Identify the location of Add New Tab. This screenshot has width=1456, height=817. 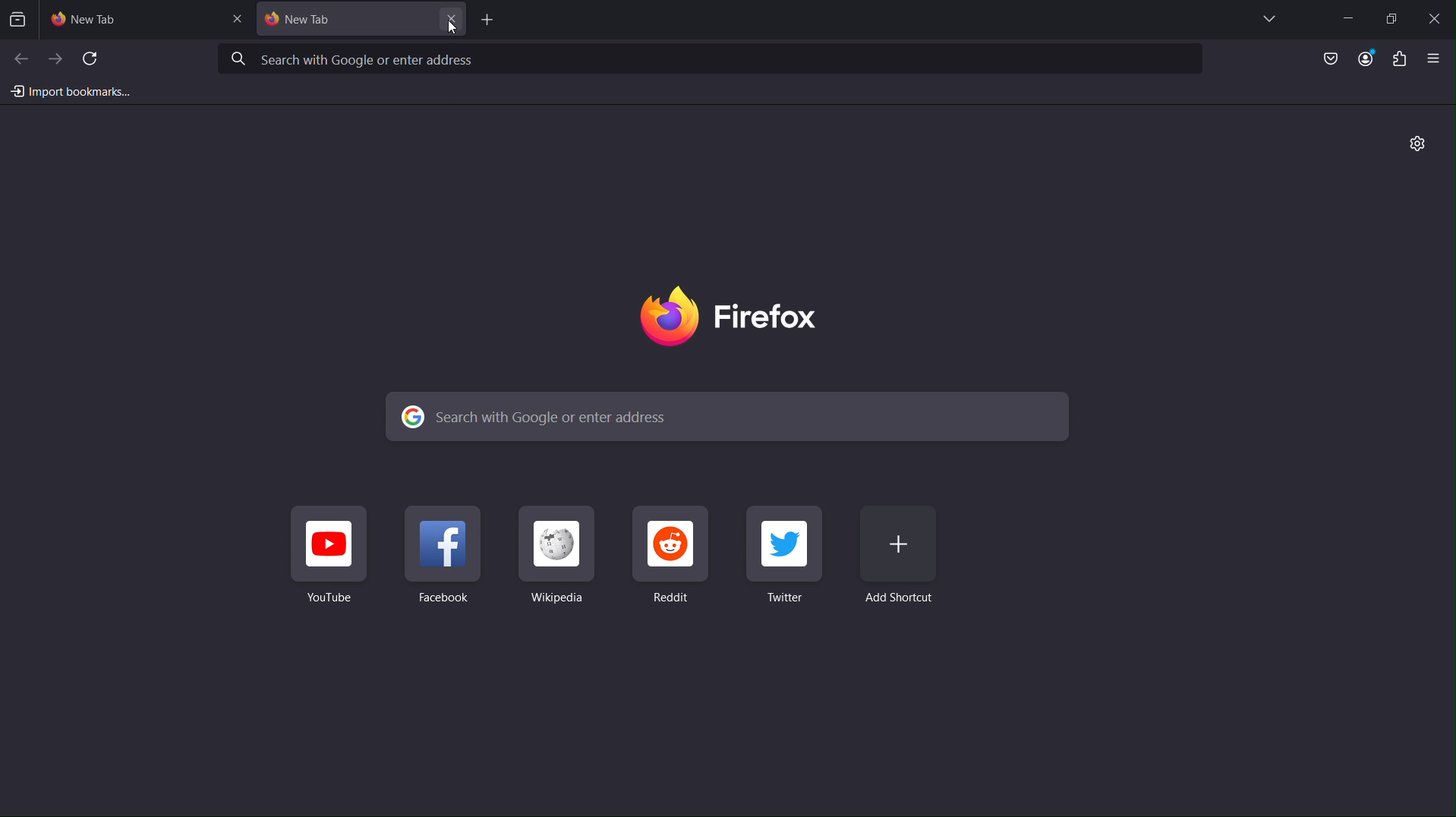
(492, 19).